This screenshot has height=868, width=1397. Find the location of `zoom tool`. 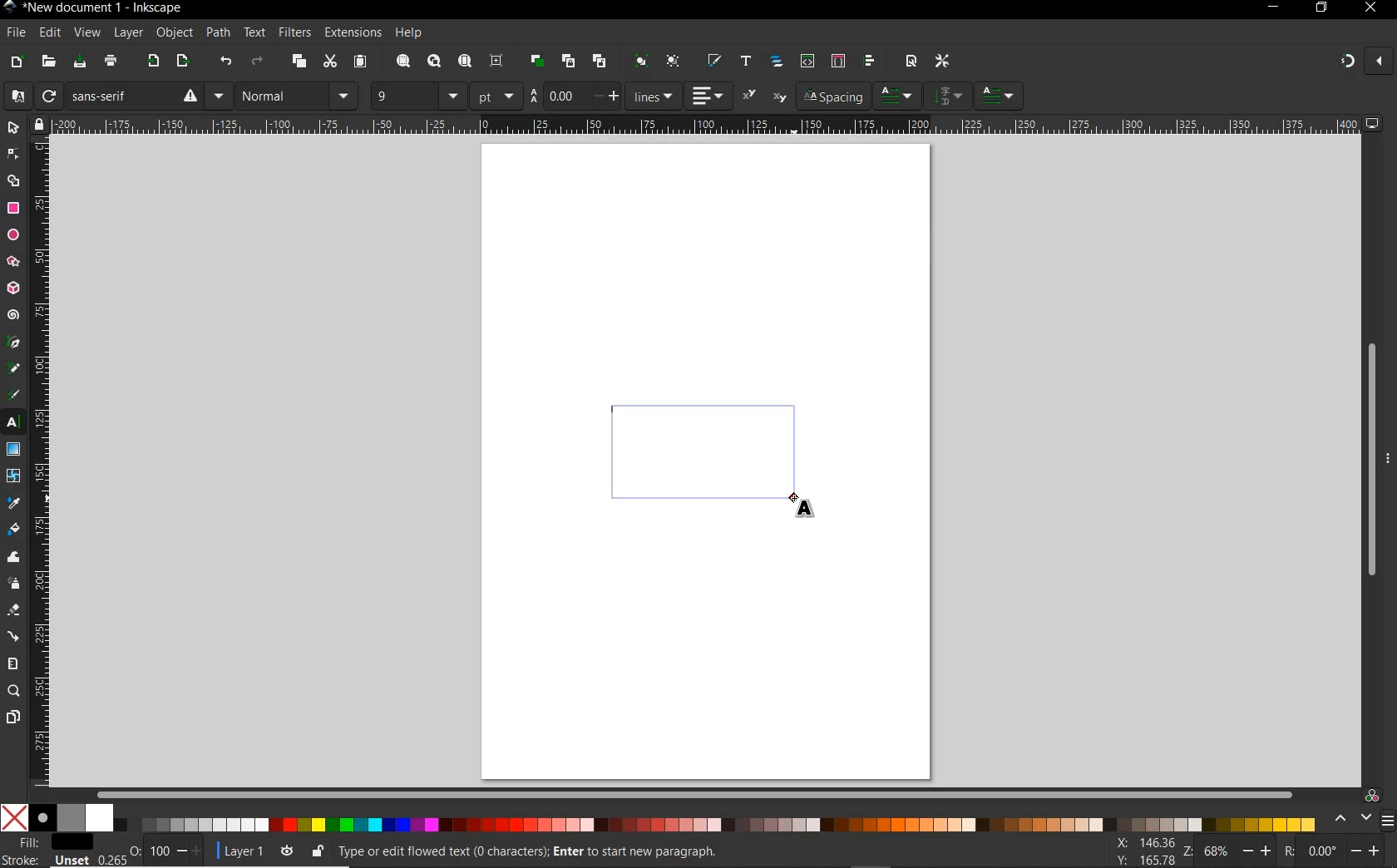

zoom tool is located at coordinates (14, 691).